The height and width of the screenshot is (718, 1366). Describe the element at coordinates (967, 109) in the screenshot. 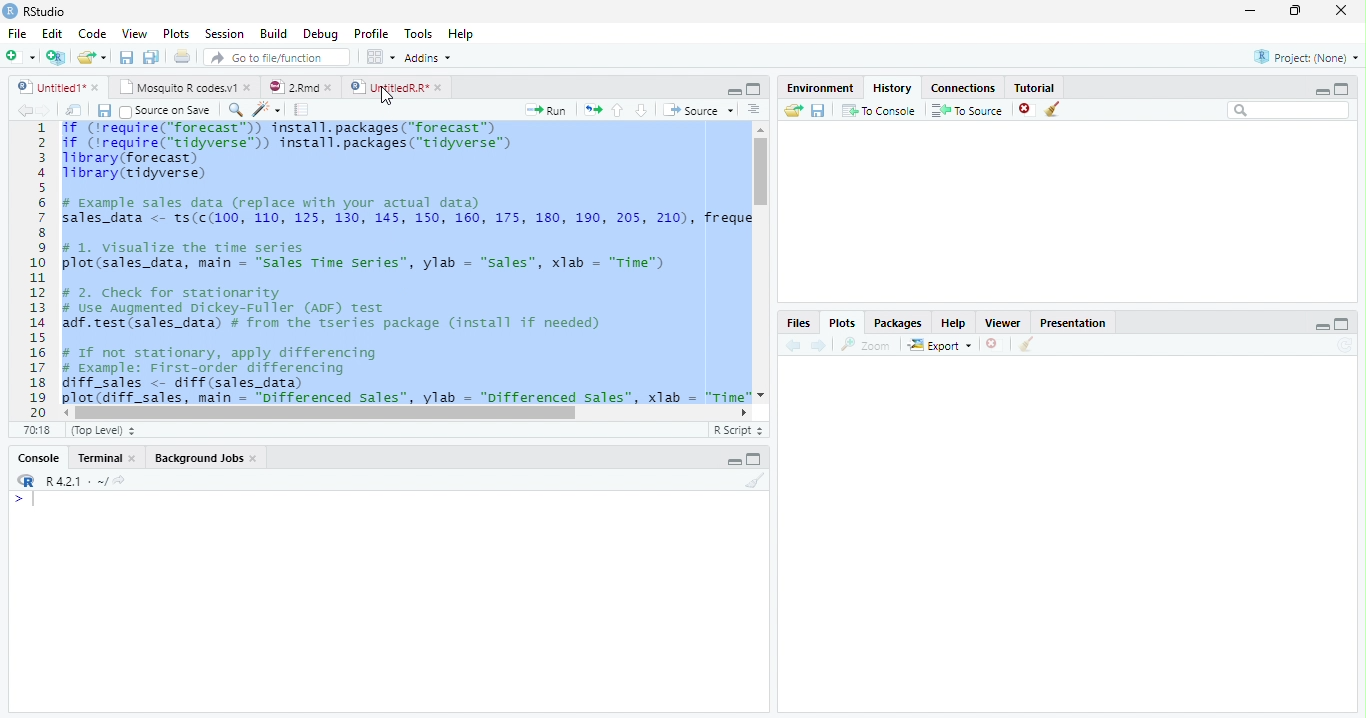

I see `To Source` at that location.